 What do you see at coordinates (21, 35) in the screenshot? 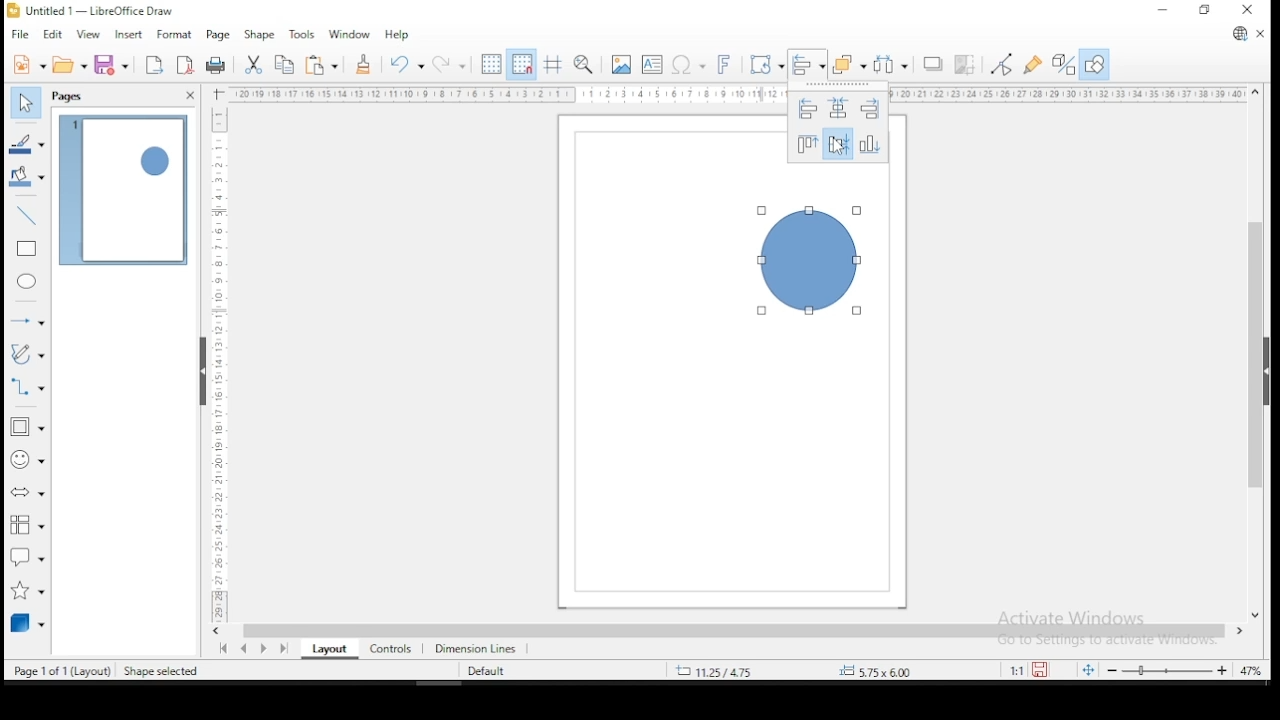
I see `file` at bounding box center [21, 35].